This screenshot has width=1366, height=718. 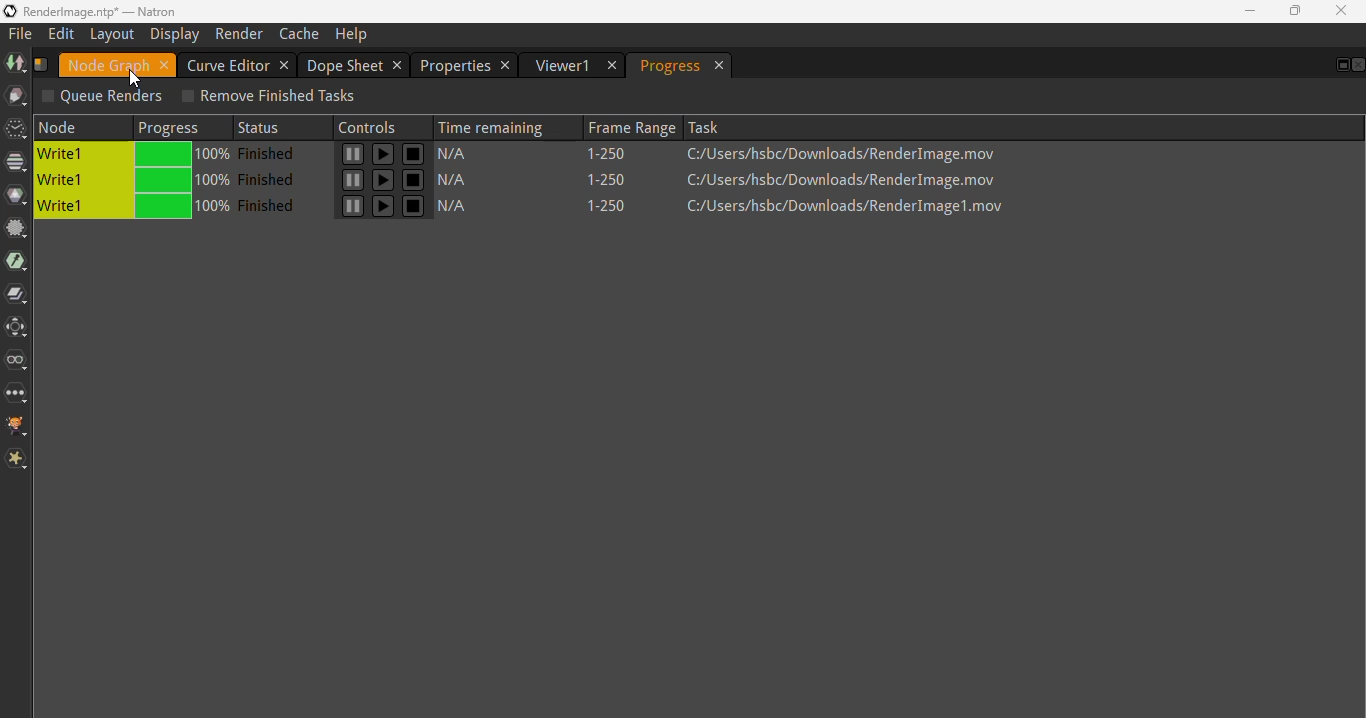 What do you see at coordinates (1341, 10) in the screenshot?
I see `close` at bounding box center [1341, 10].